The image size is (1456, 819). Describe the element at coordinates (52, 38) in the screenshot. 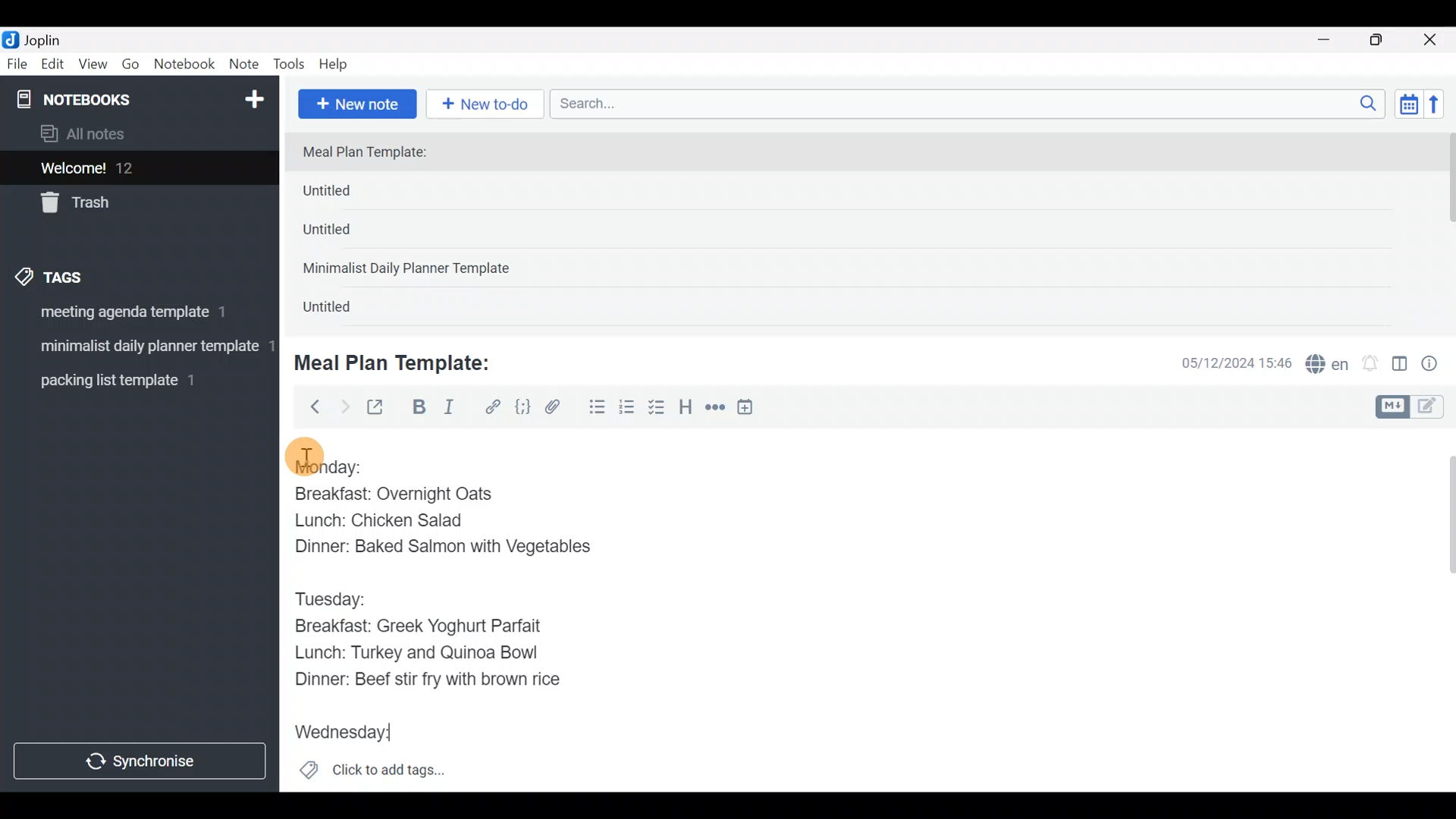

I see `Joplin` at that location.